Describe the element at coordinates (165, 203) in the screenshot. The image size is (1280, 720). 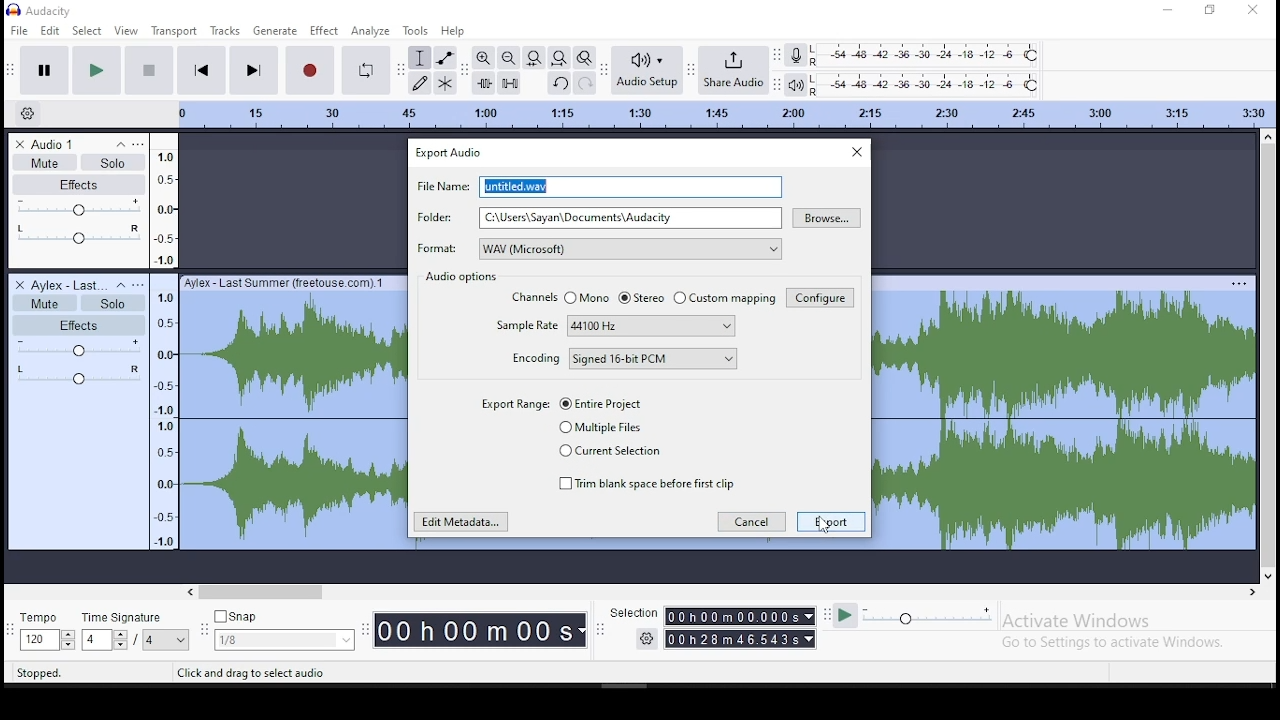
I see `frequency` at that location.